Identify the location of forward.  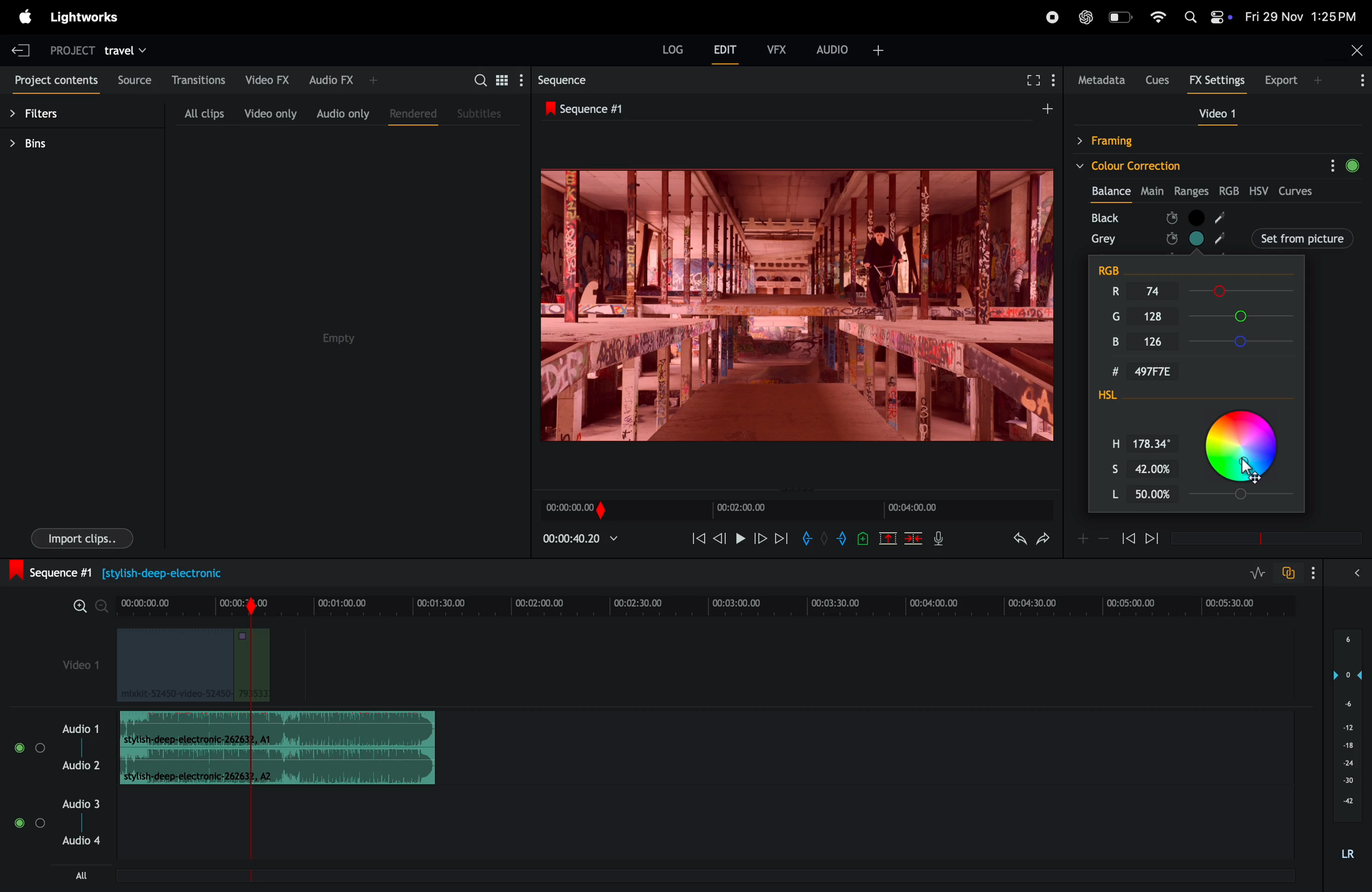
(1151, 540).